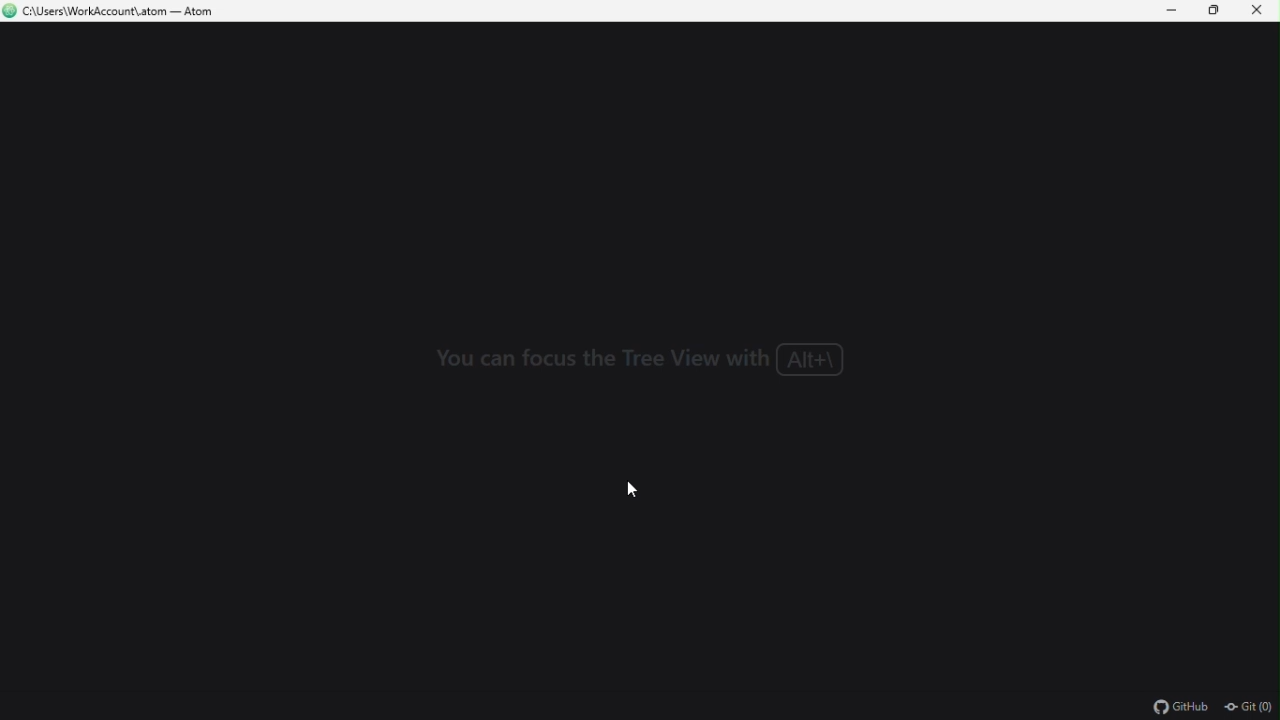 The width and height of the screenshot is (1280, 720). I want to click on Git, so click(1249, 709).